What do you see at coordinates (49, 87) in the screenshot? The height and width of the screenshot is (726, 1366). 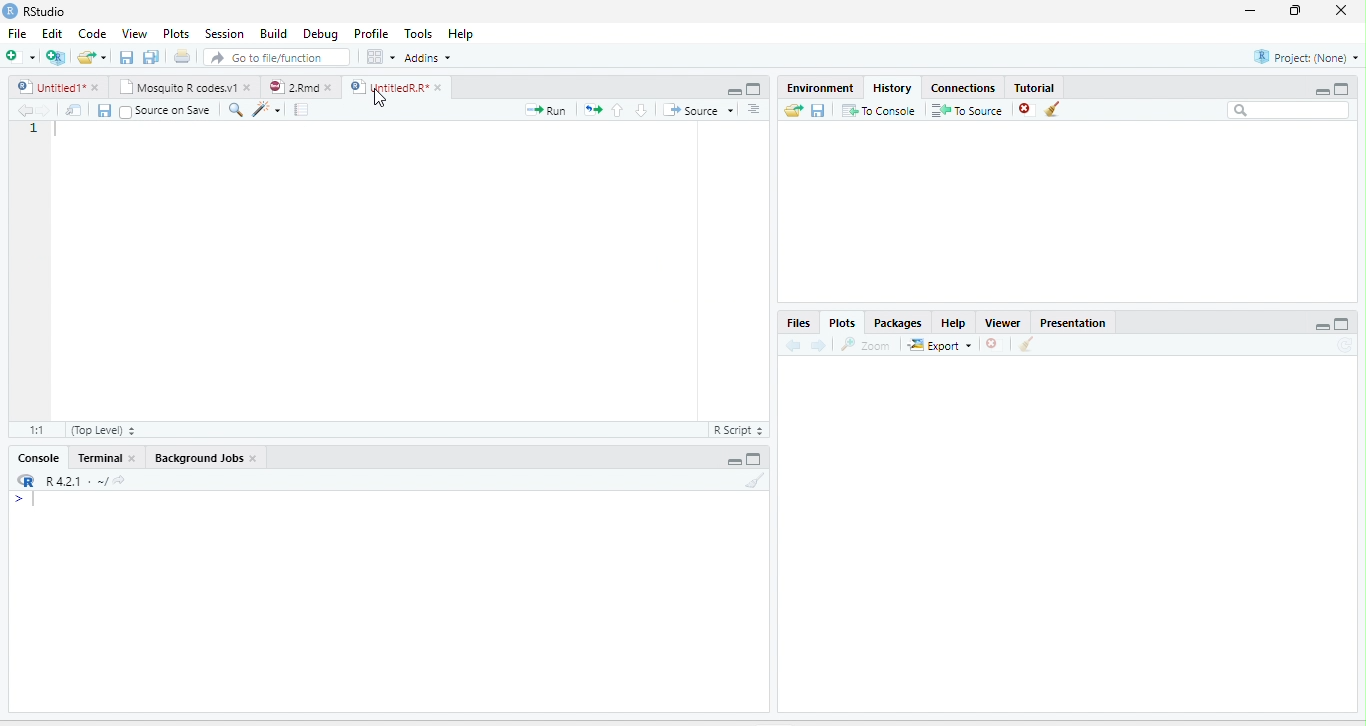 I see `Untitled1*` at bounding box center [49, 87].